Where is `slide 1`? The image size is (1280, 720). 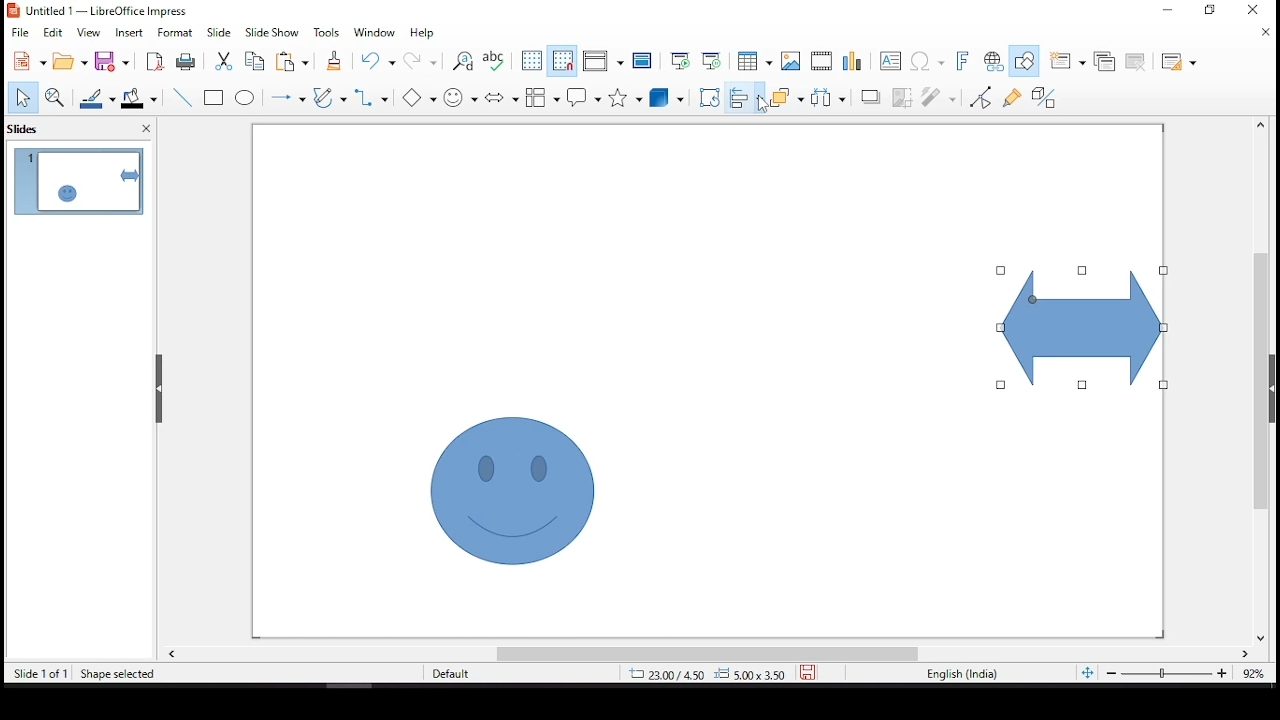
slide 1 is located at coordinates (78, 181).